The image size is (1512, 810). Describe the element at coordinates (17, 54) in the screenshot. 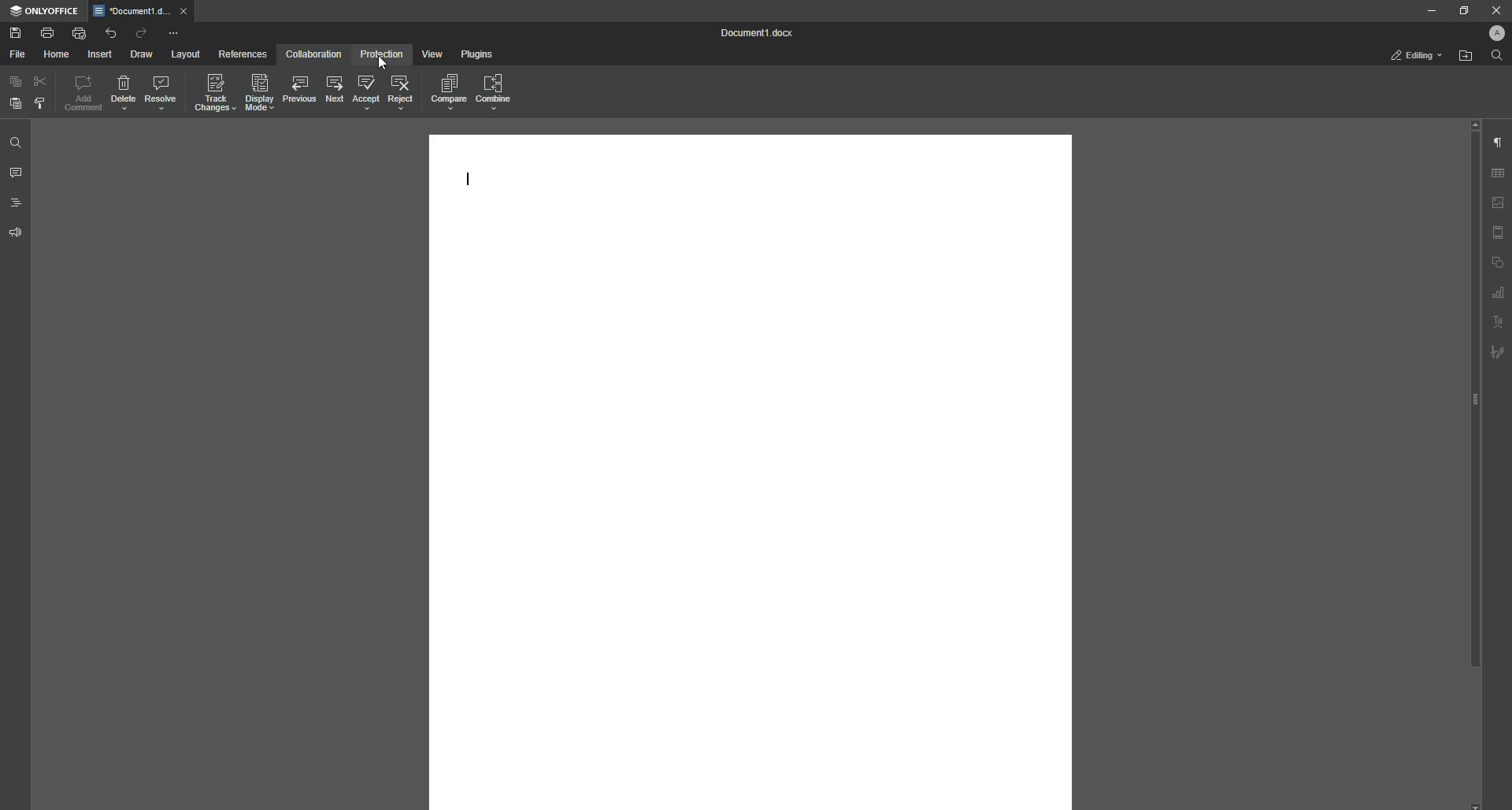

I see `File` at that location.